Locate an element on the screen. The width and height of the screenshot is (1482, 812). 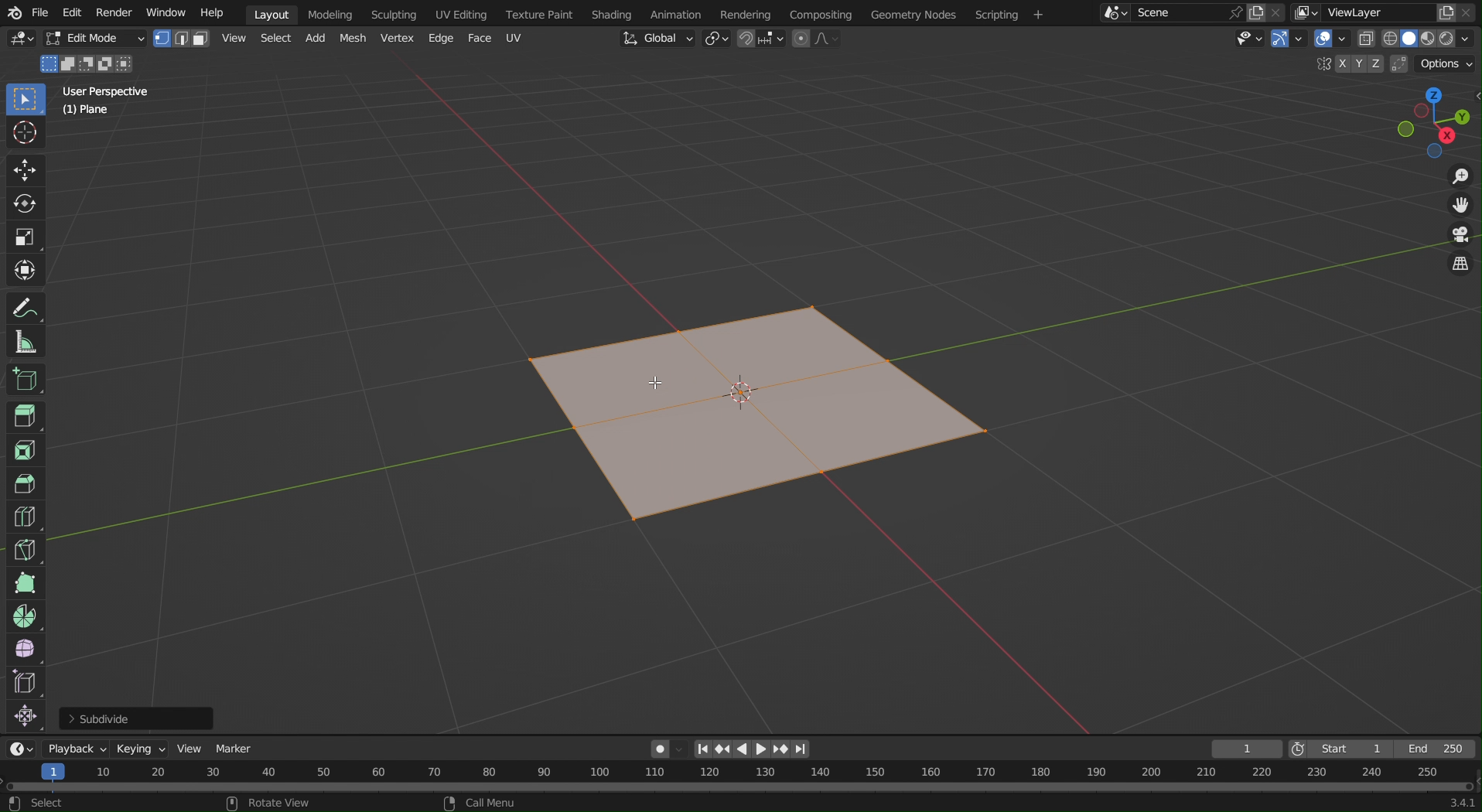
Shrink/Flatten is located at coordinates (25, 718).